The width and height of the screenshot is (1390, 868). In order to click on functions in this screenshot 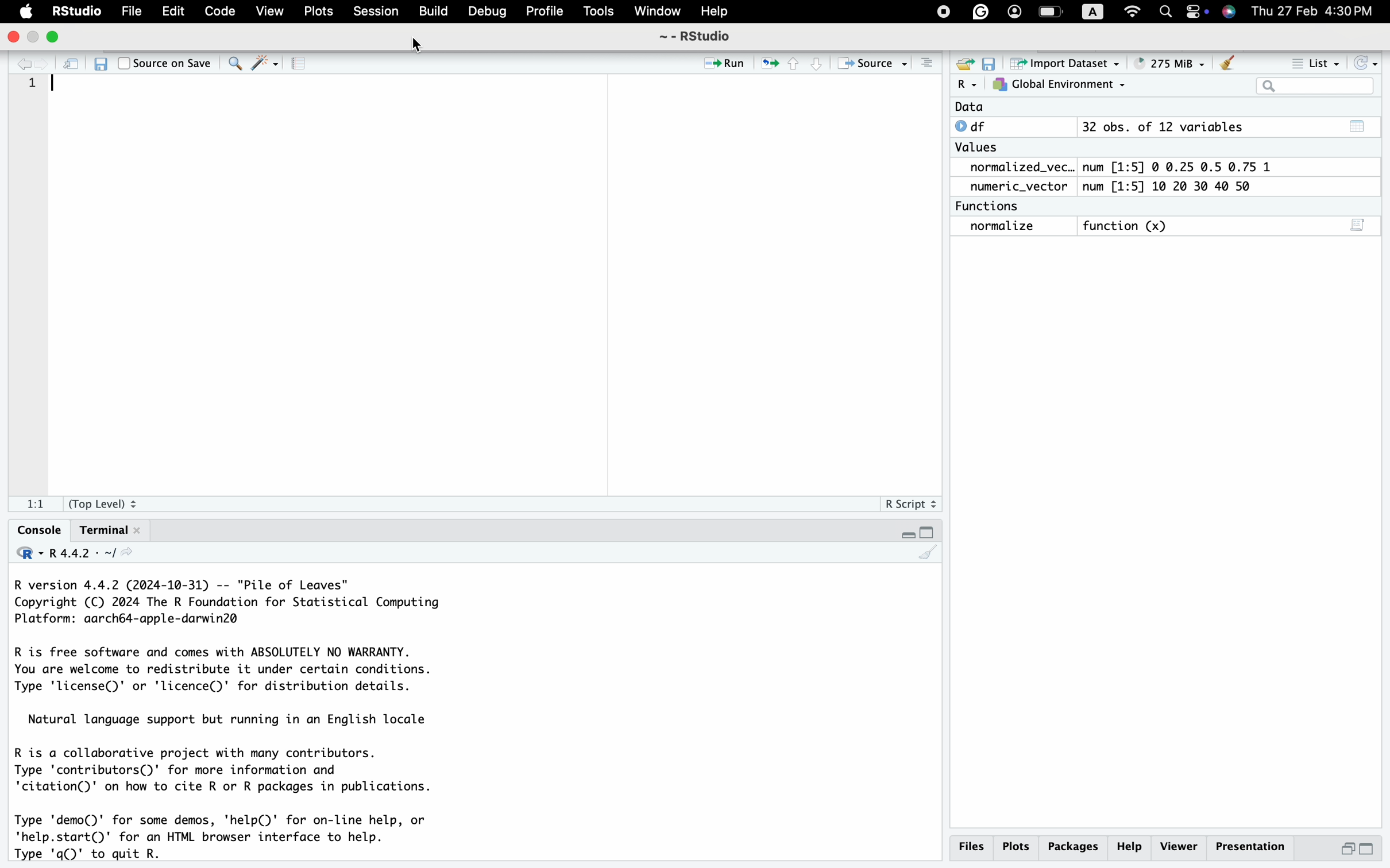, I will do `click(991, 207)`.